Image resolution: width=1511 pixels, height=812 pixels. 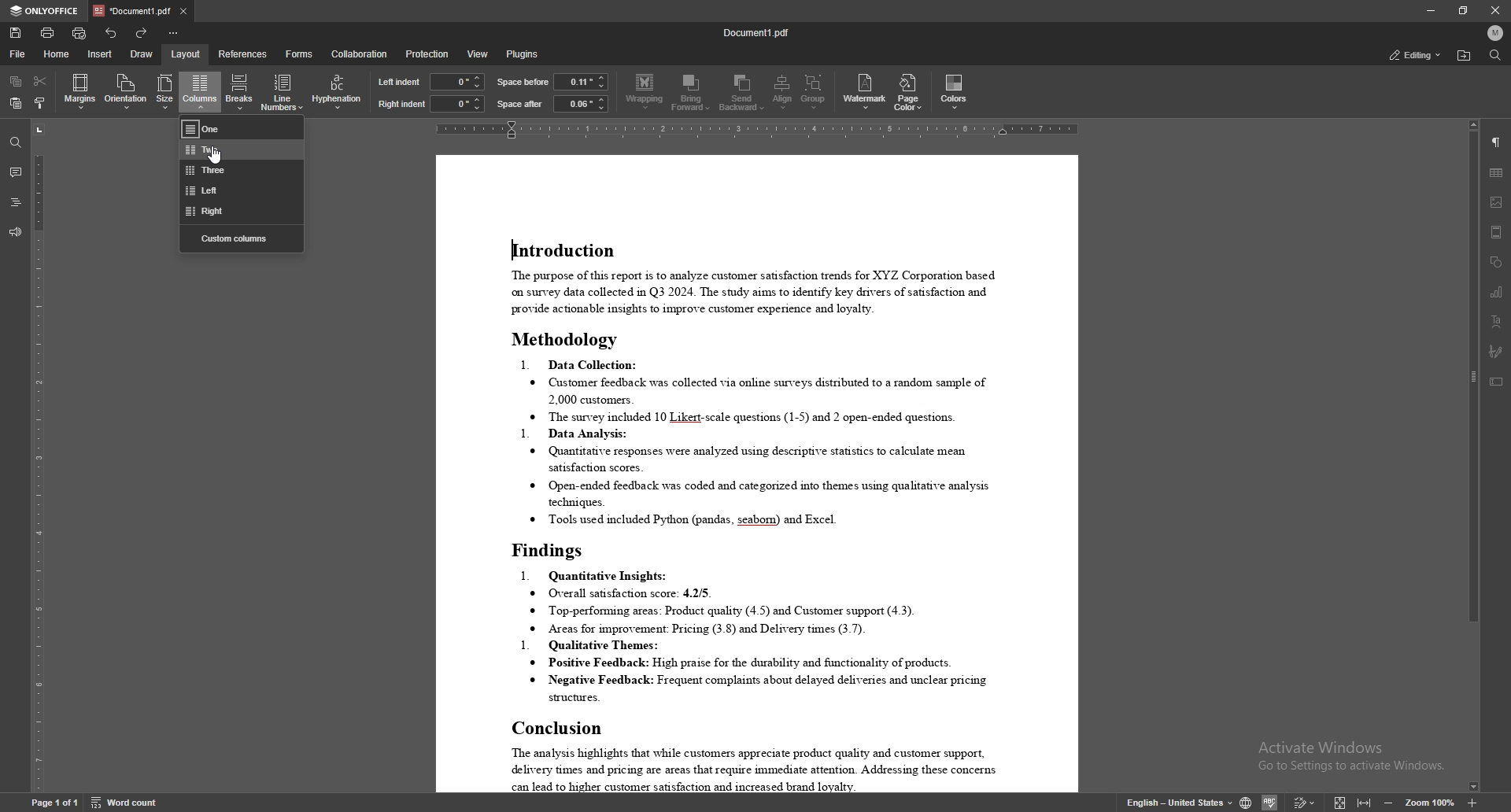 I want to click on orientation, so click(x=125, y=91).